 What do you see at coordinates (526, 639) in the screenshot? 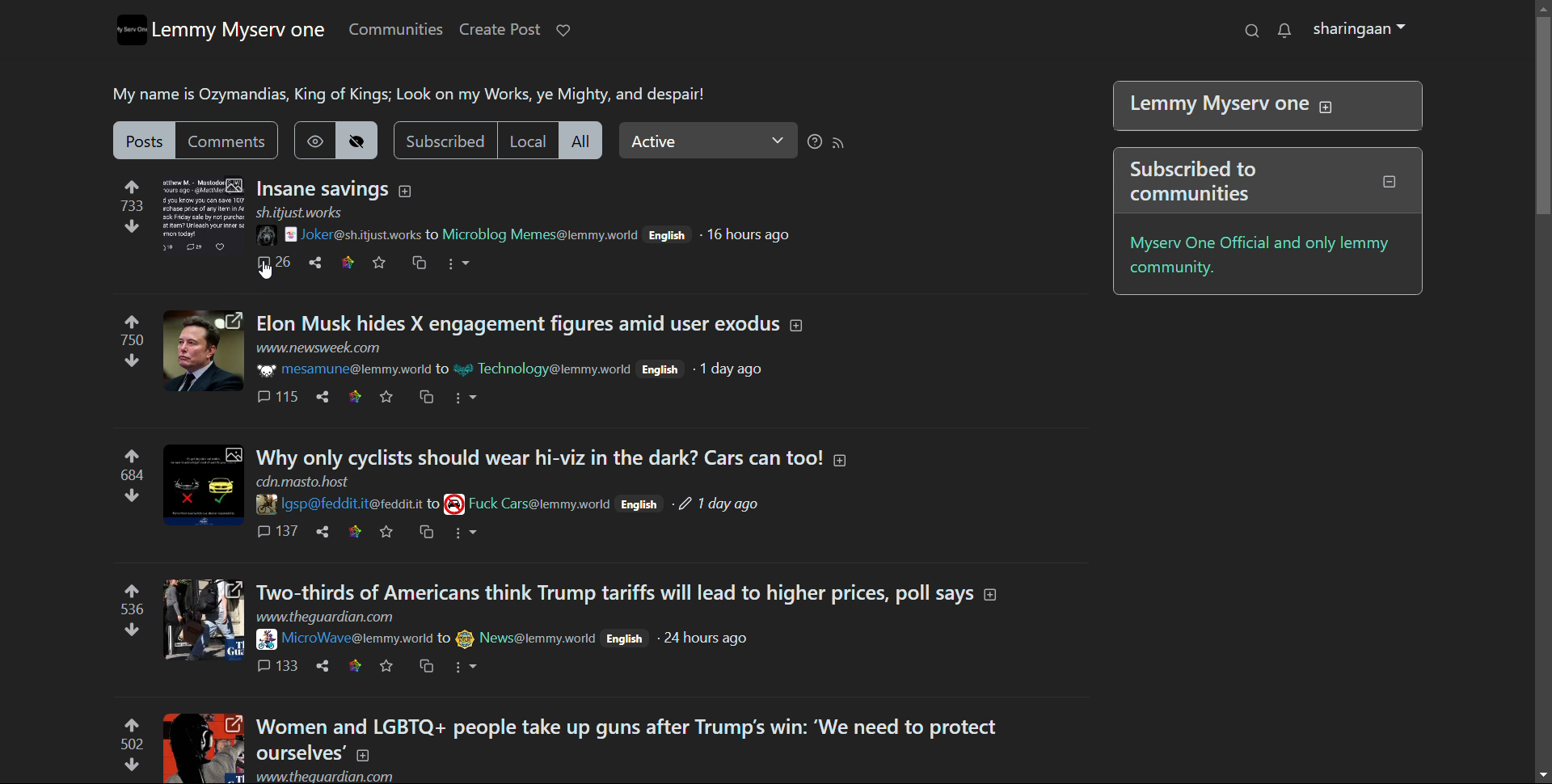
I see `community` at bounding box center [526, 639].